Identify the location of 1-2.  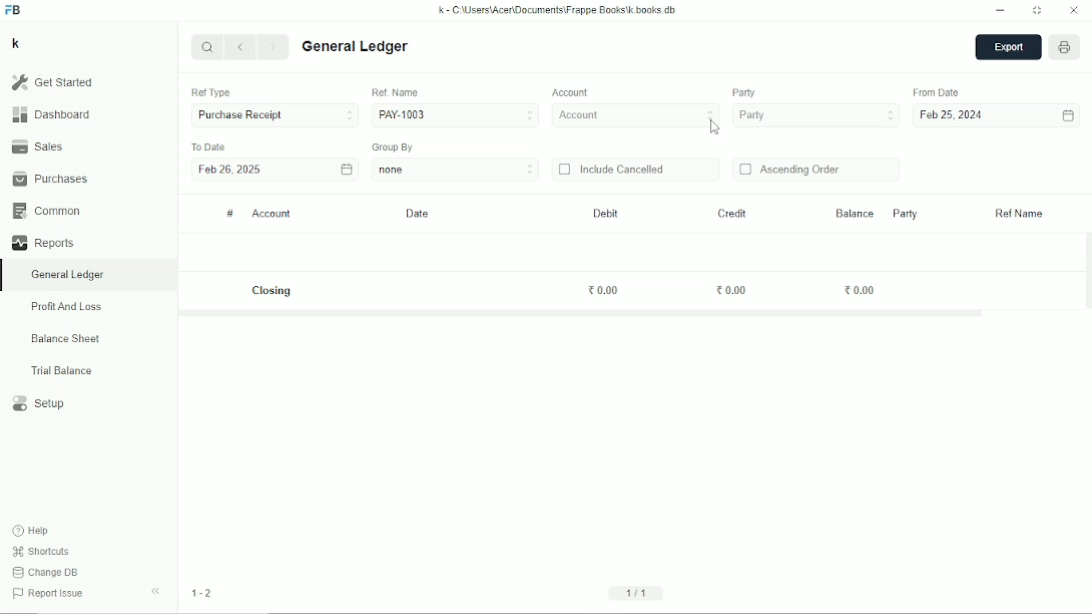
(202, 593).